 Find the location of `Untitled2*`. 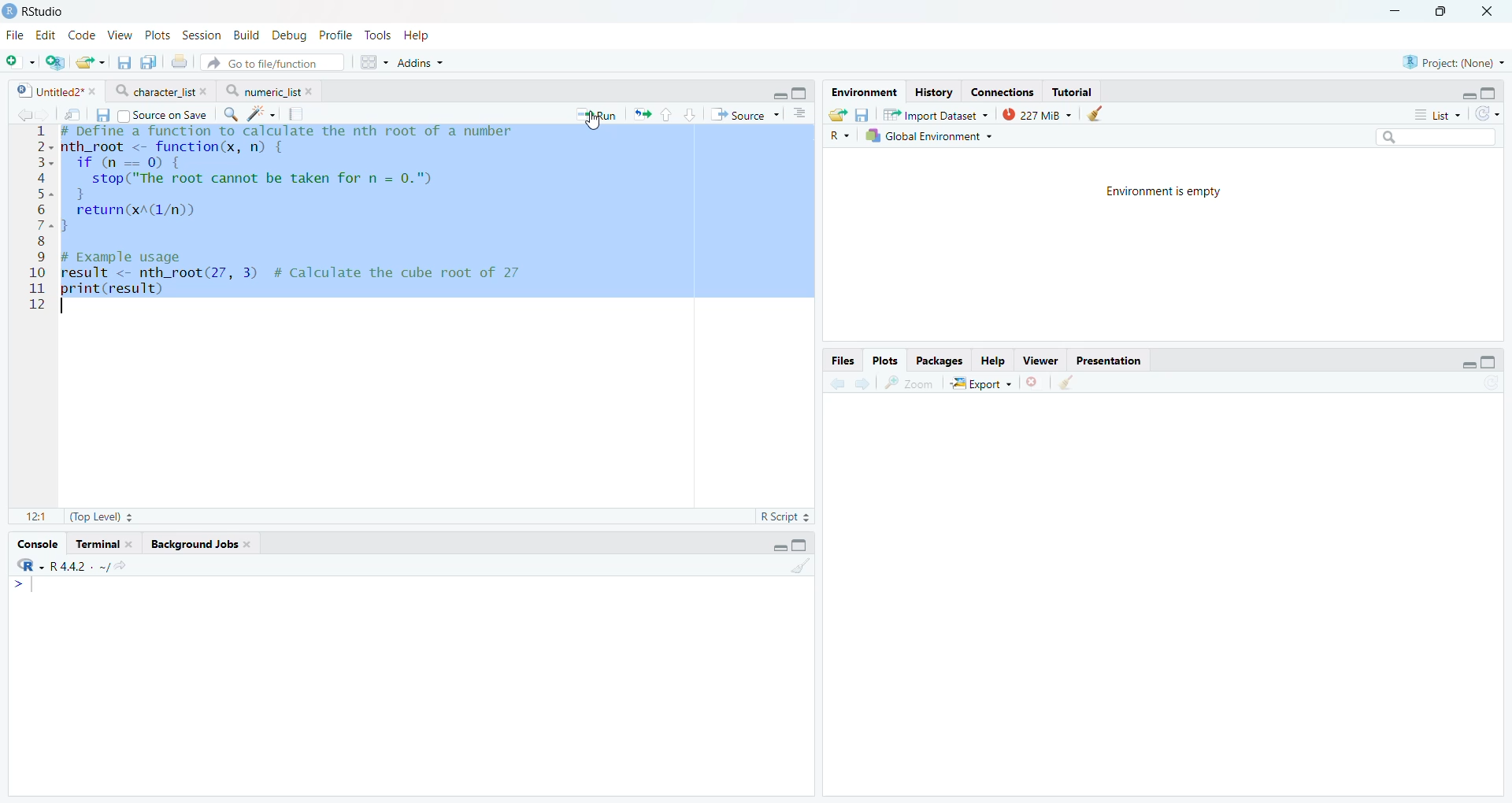

Untitled2* is located at coordinates (54, 92).